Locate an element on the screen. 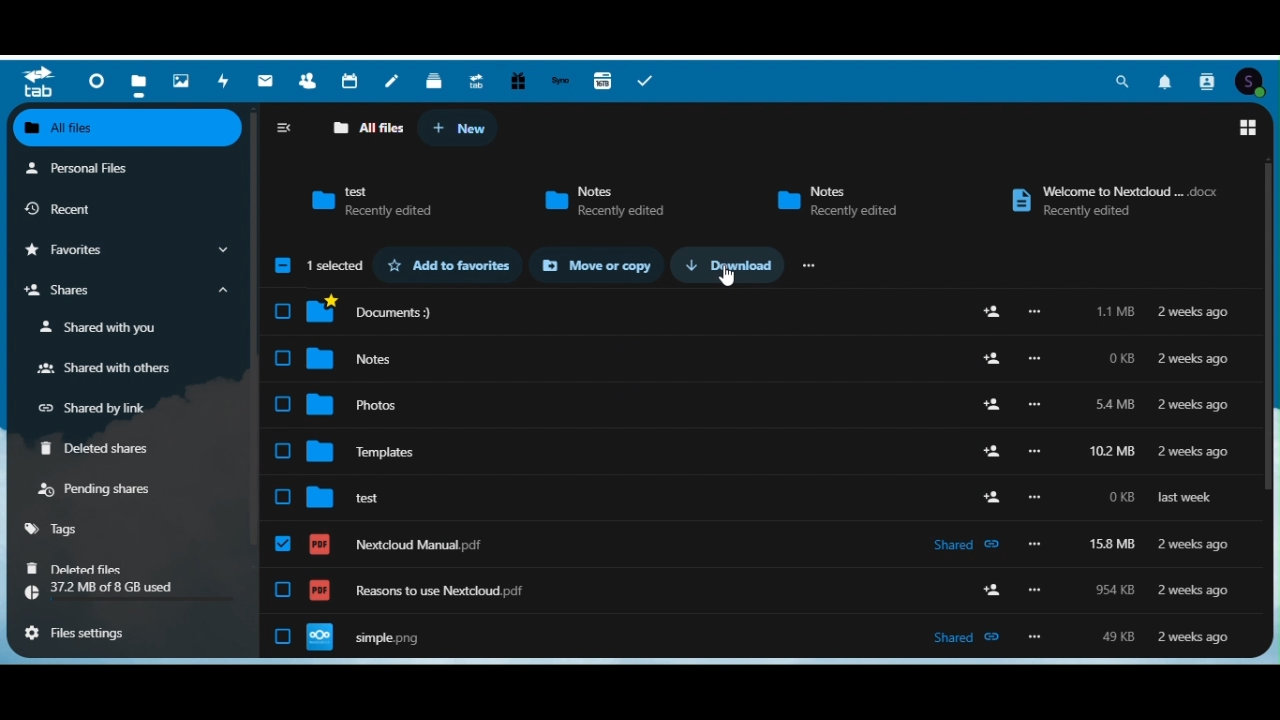 The width and height of the screenshot is (1280, 720). Photos is located at coordinates (183, 80).